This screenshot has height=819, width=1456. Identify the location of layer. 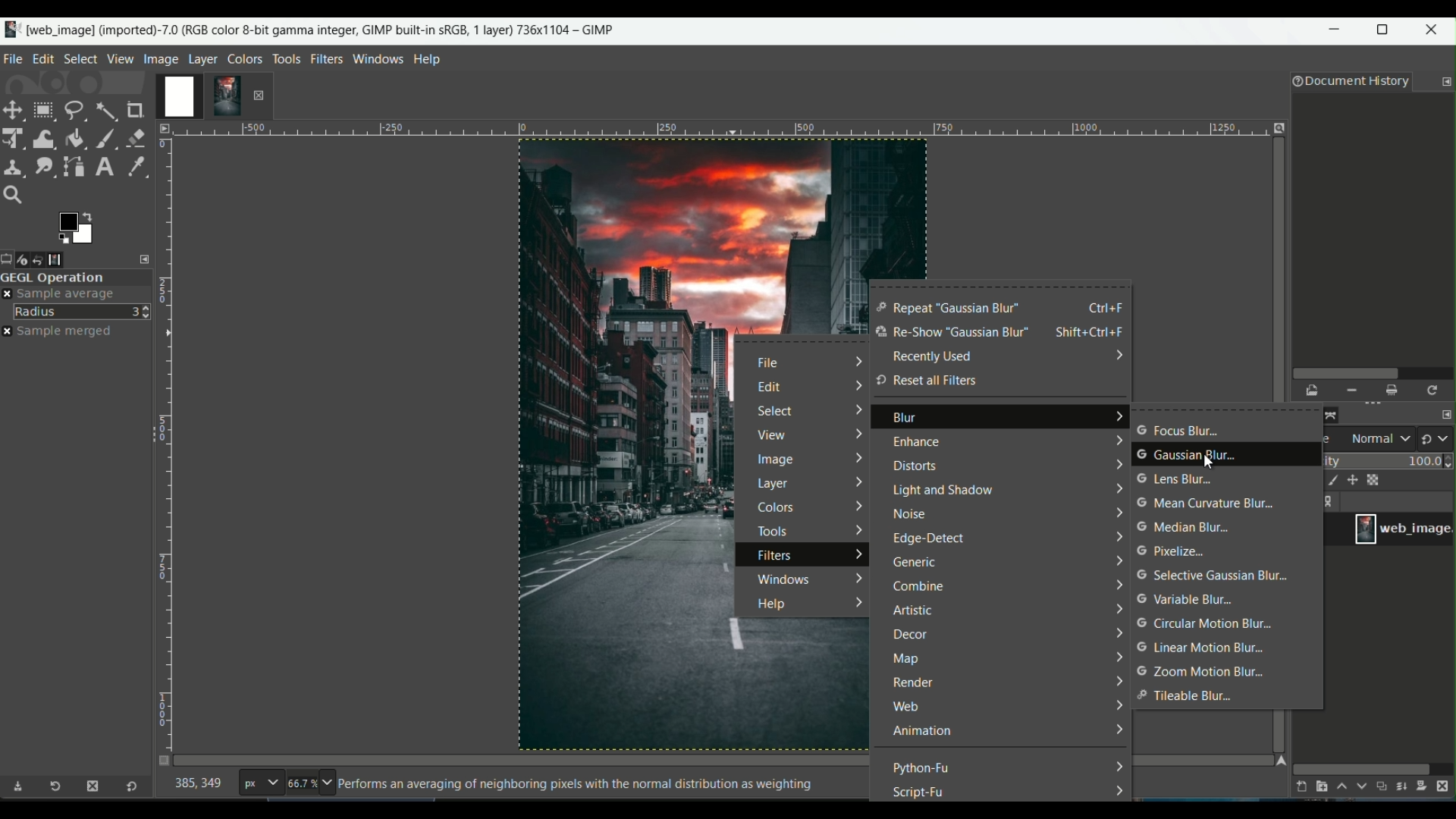
(774, 485).